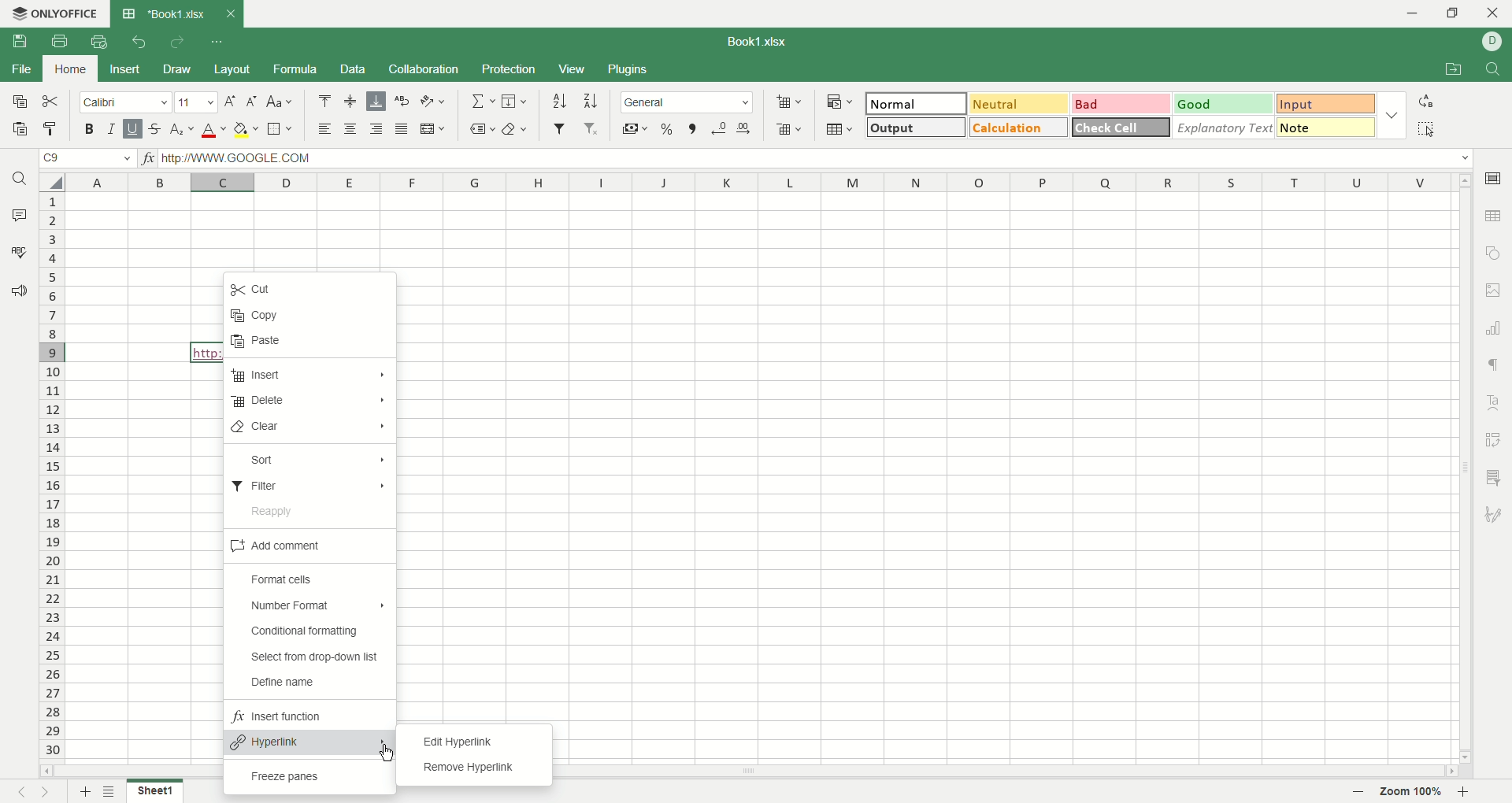 The width and height of the screenshot is (1512, 803). Describe the element at coordinates (54, 103) in the screenshot. I see `cut` at that location.